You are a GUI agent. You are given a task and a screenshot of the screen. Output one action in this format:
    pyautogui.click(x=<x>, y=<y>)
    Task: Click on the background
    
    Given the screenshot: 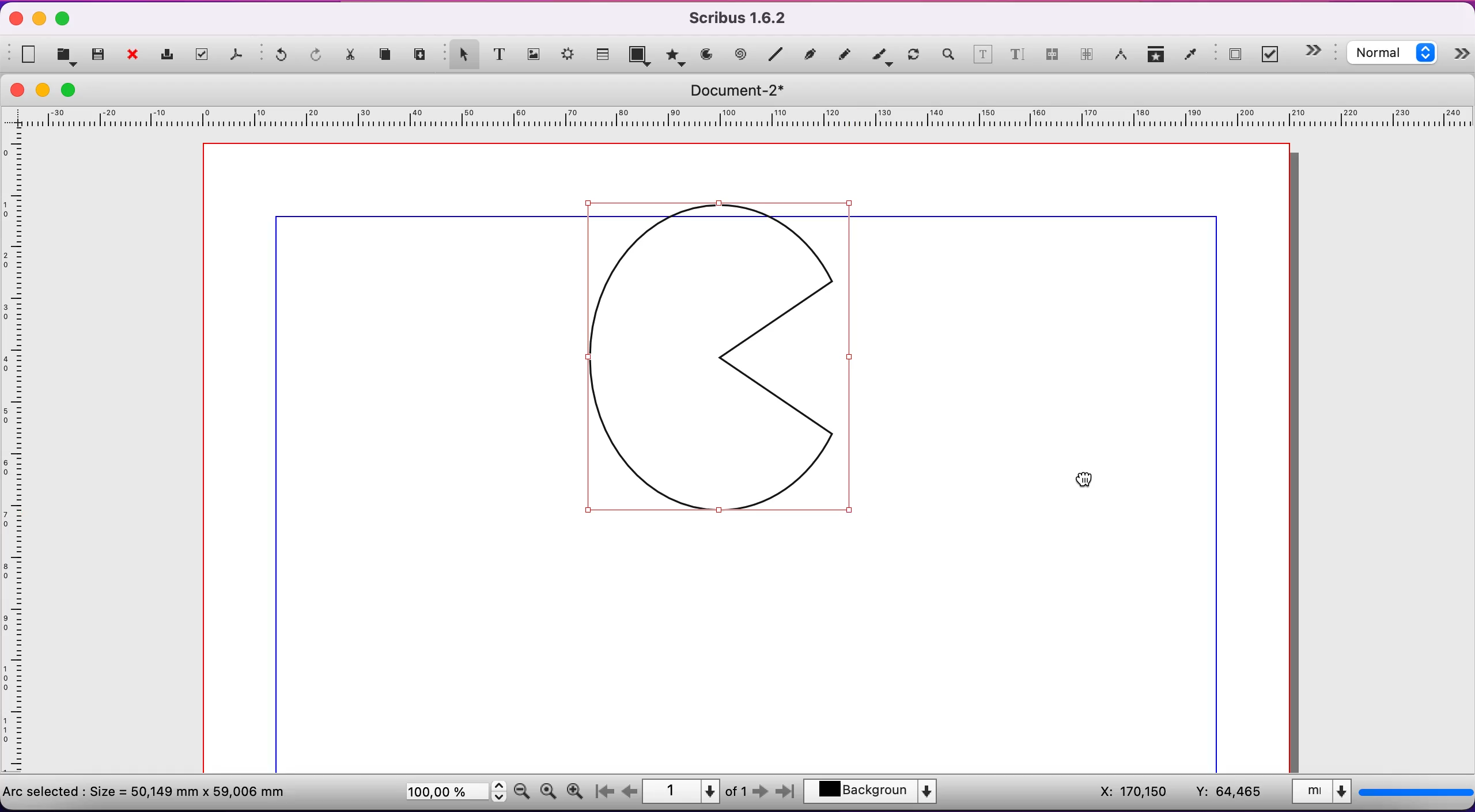 What is the action you would take?
    pyautogui.click(x=878, y=793)
    